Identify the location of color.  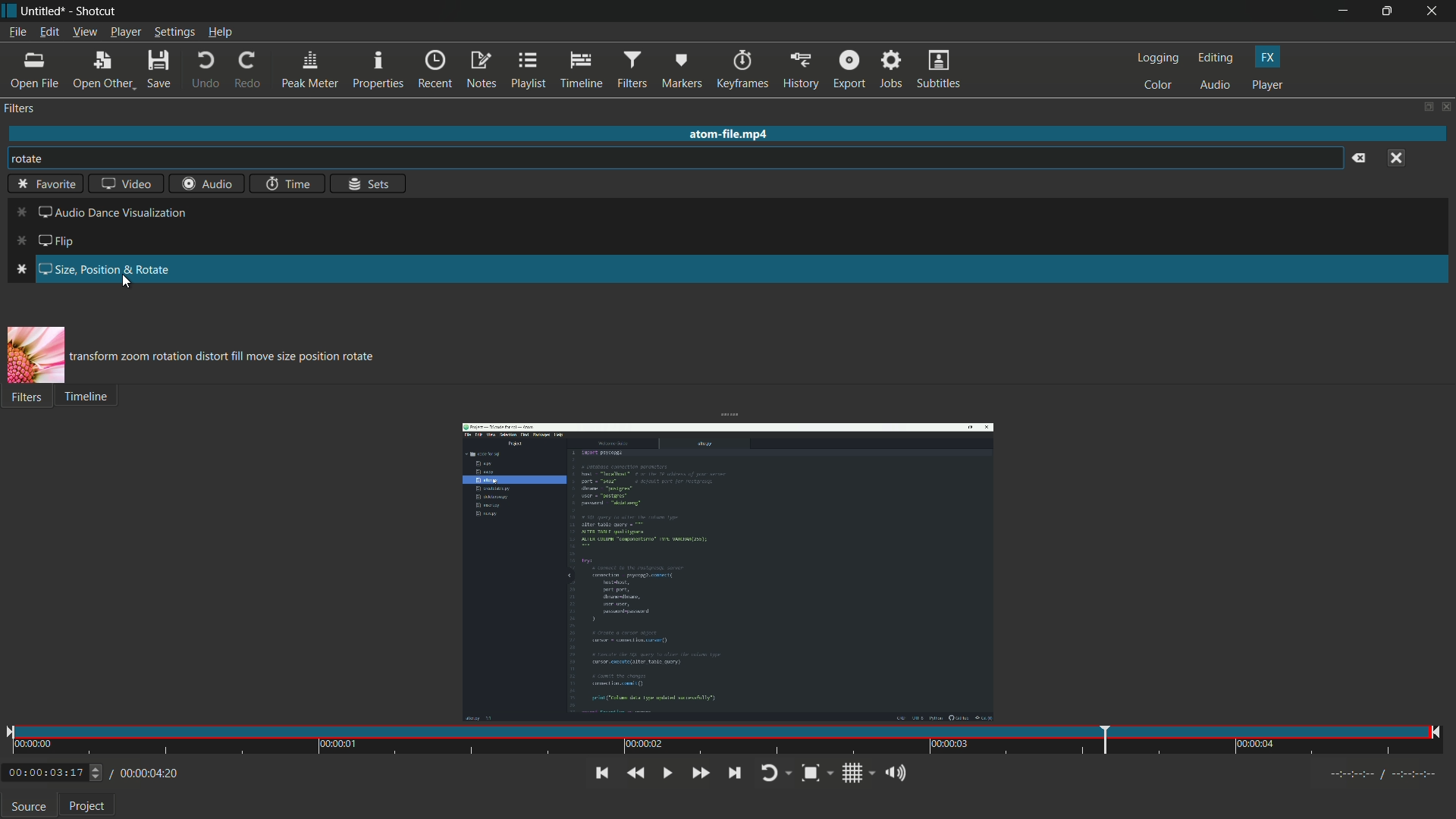
(1161, 86).